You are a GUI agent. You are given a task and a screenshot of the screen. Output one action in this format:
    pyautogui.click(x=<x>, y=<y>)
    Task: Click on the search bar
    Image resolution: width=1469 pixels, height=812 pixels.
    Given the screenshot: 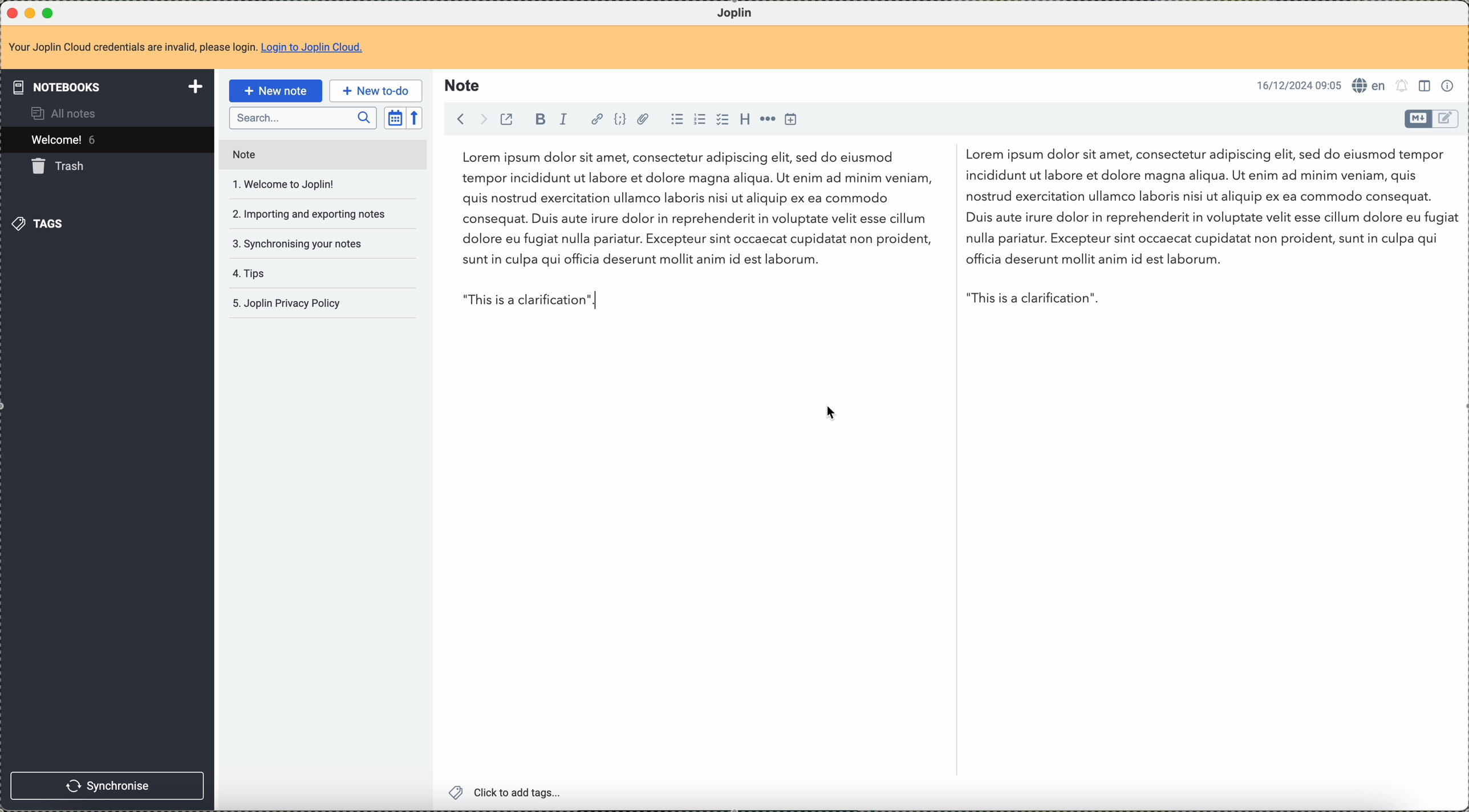 What is the action you would take?
    pyautogui.click(x=302, y=118)
    